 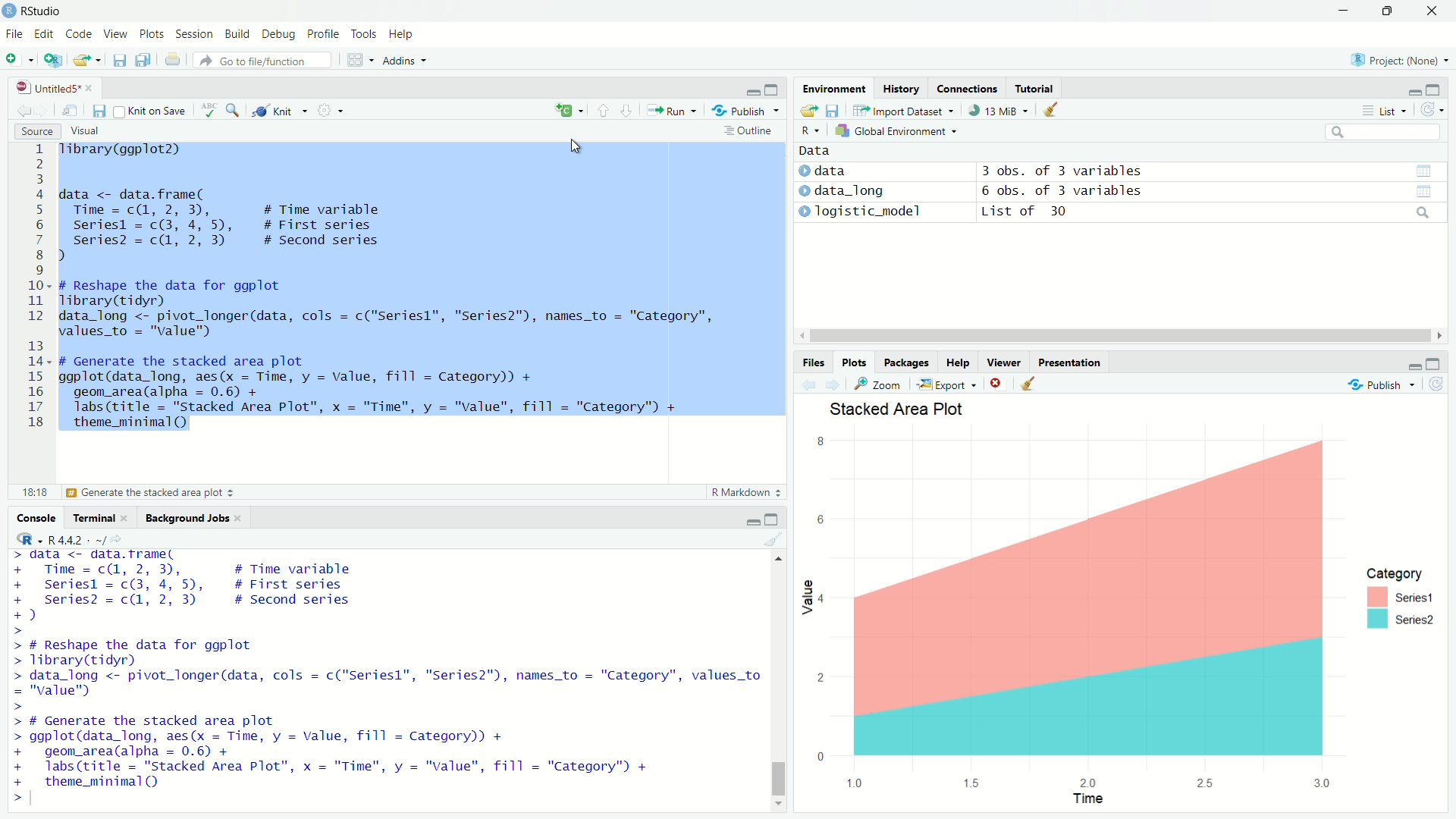 What do you see at coordinates (364, 33) in the screenshot?
I see `Tools` at bounding box center [364, 33].